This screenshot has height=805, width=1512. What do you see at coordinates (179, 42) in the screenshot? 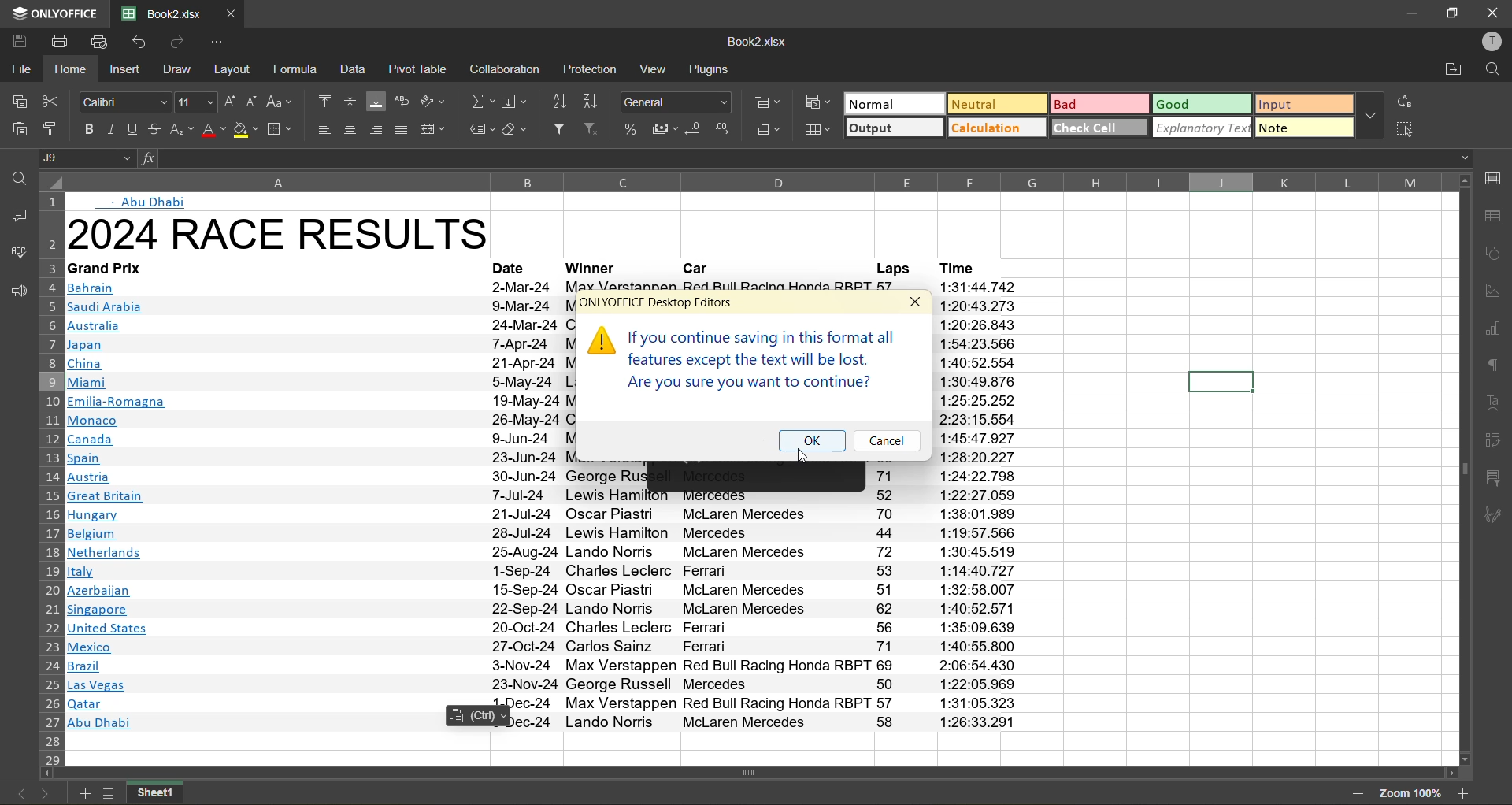
I see `redo` at bounding box center [179, 42].